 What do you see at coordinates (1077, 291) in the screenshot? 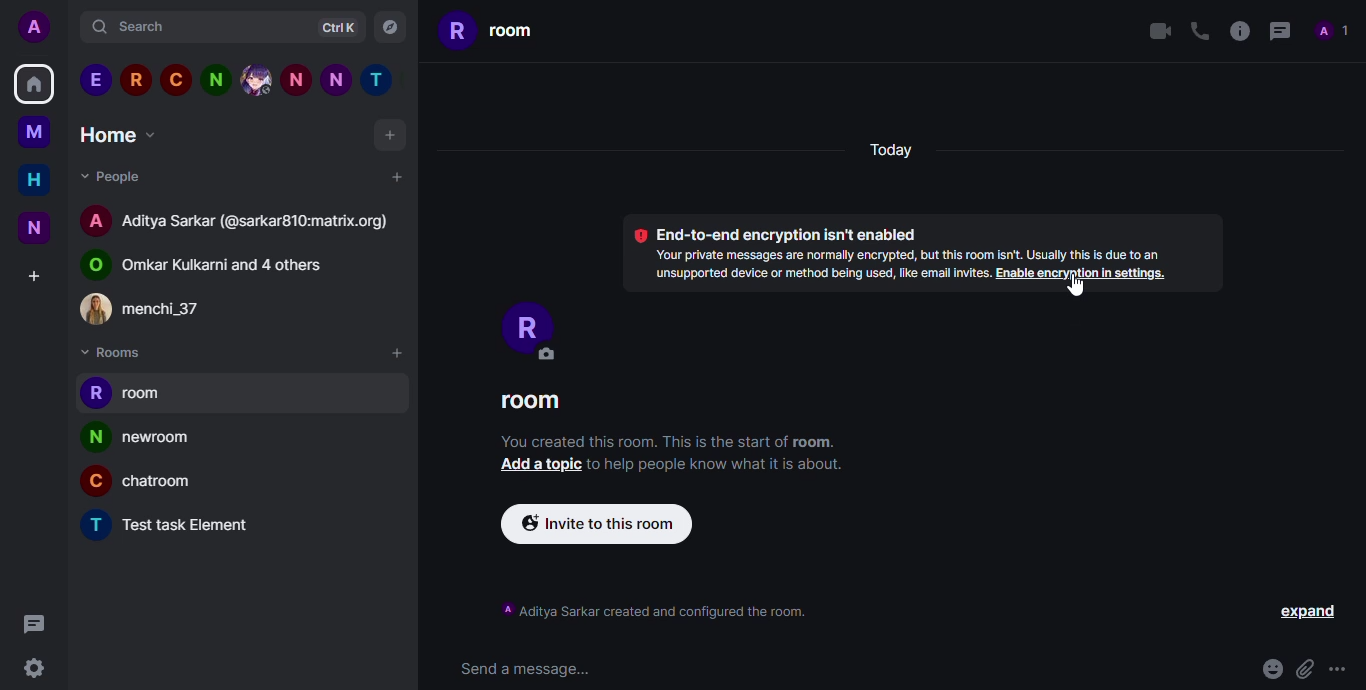
I see `Cursor` at bounding box center [1077, 291].